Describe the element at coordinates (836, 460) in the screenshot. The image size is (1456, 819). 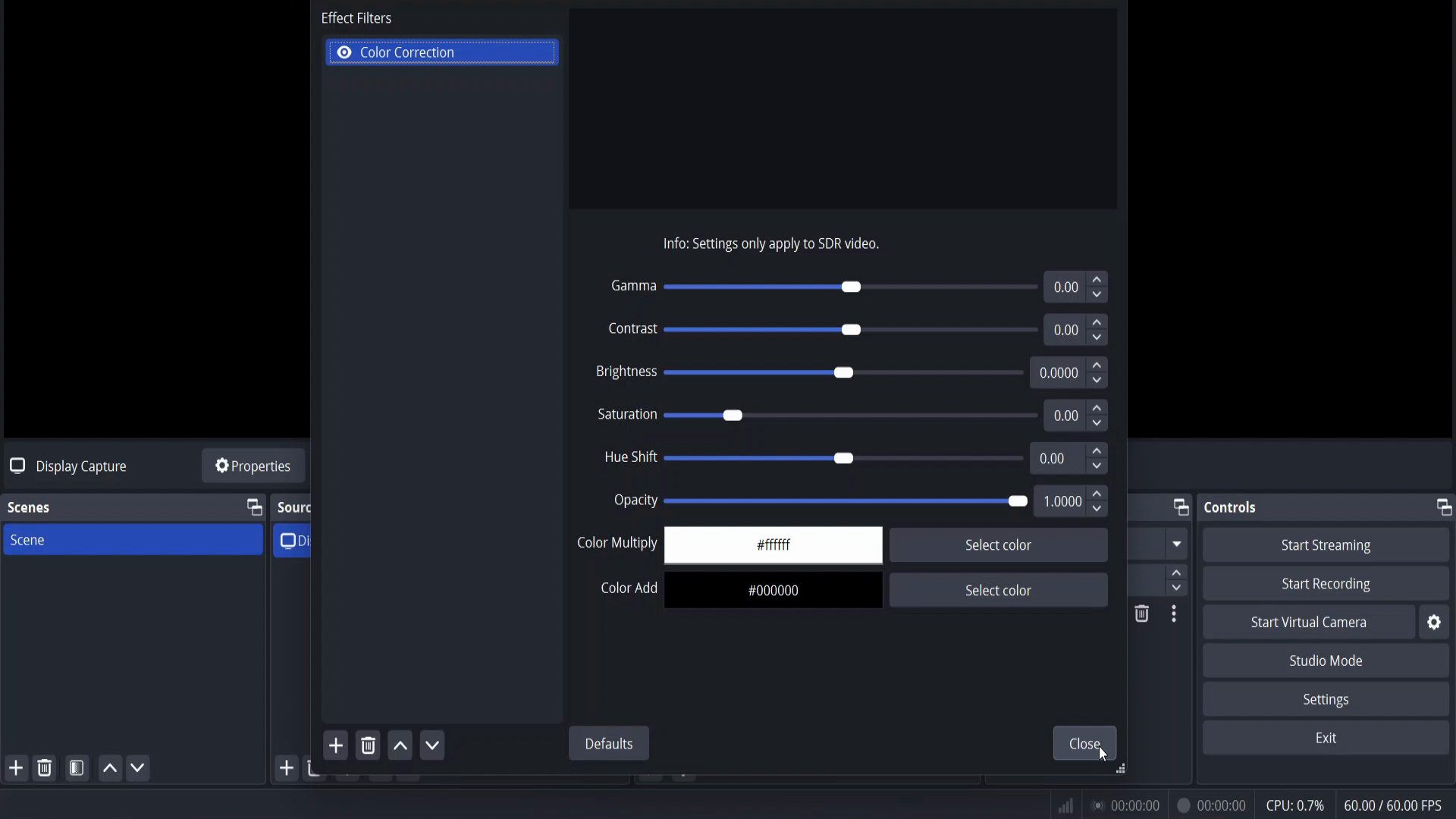
I see `Hue Shift ses) 000` at that location.